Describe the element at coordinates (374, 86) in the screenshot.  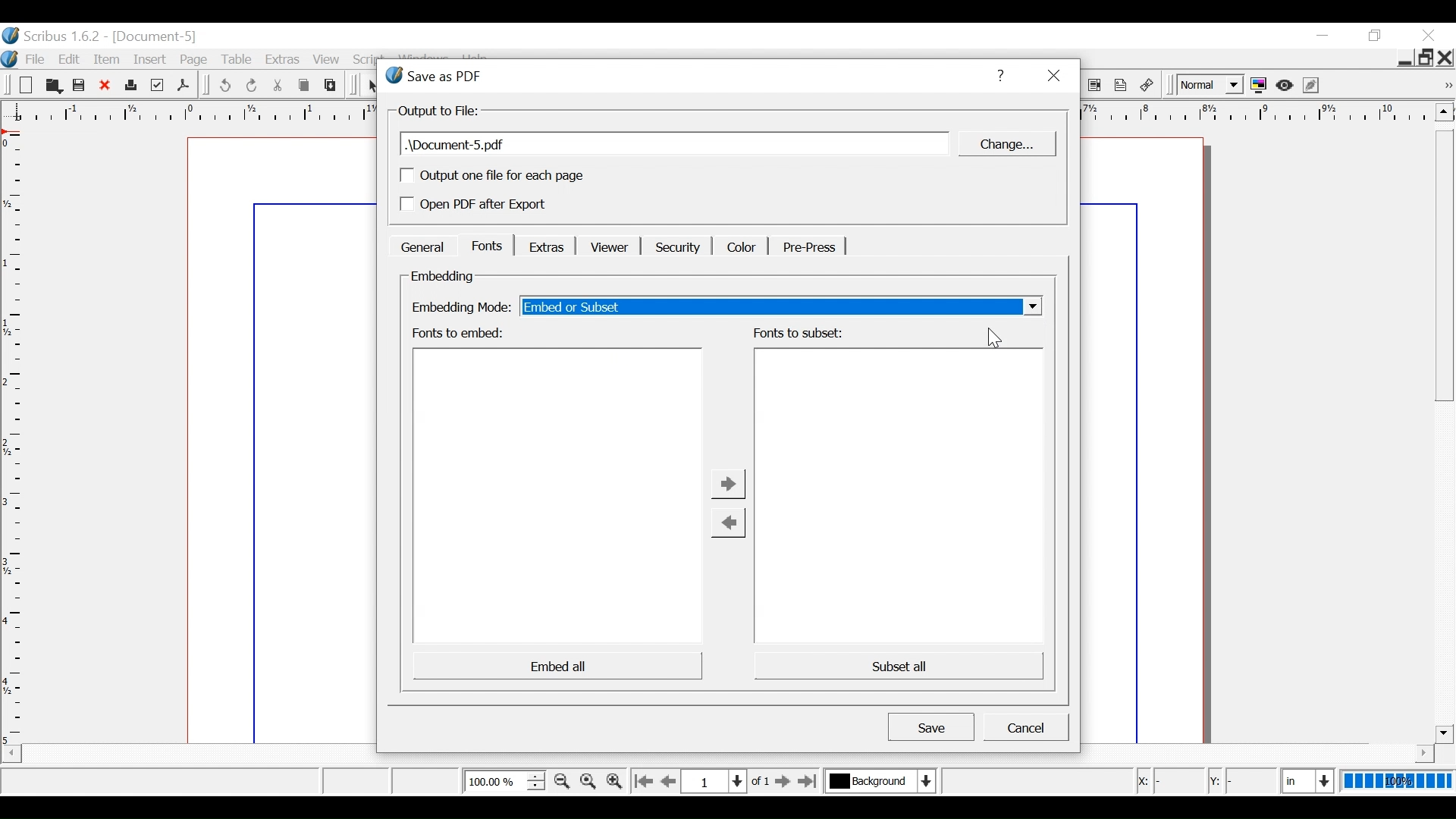
I see `Select` at that location.